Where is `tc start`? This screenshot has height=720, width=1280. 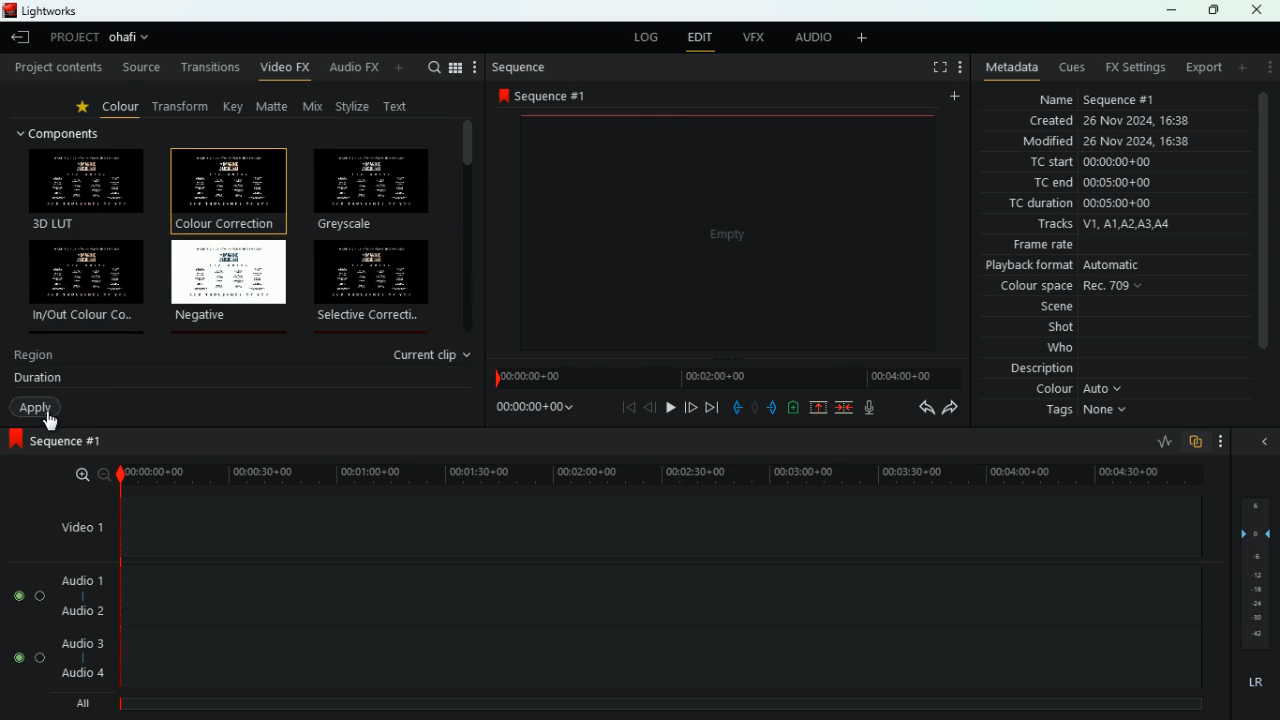 tc start is located at coordinates (1109, 163).